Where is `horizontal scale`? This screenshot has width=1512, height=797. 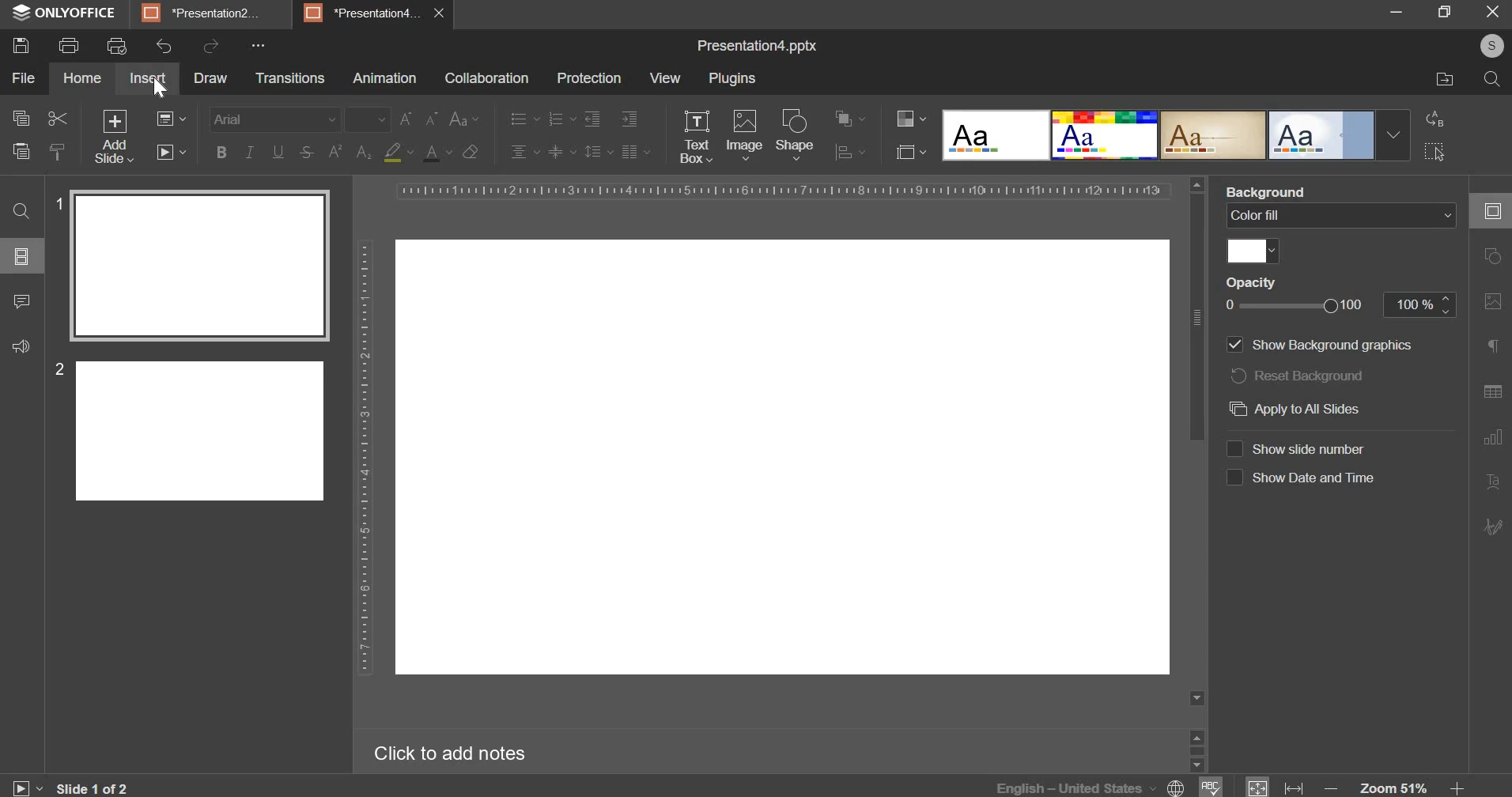
horizontal scale is located at coordinates (784, 190).